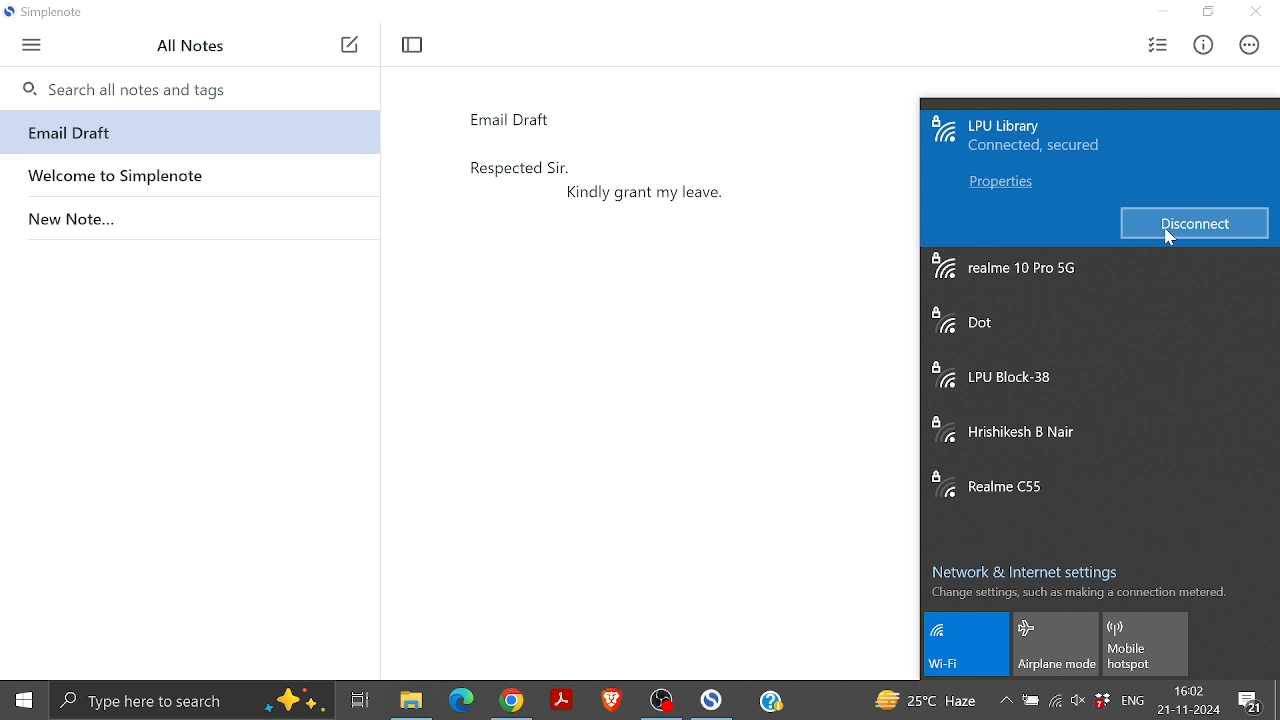 The height and width of the screenshot is (720, 1280). What do you see at coordinates (23, 701) in the screenshot?
I see `Start` at bounding box center [23, 701].